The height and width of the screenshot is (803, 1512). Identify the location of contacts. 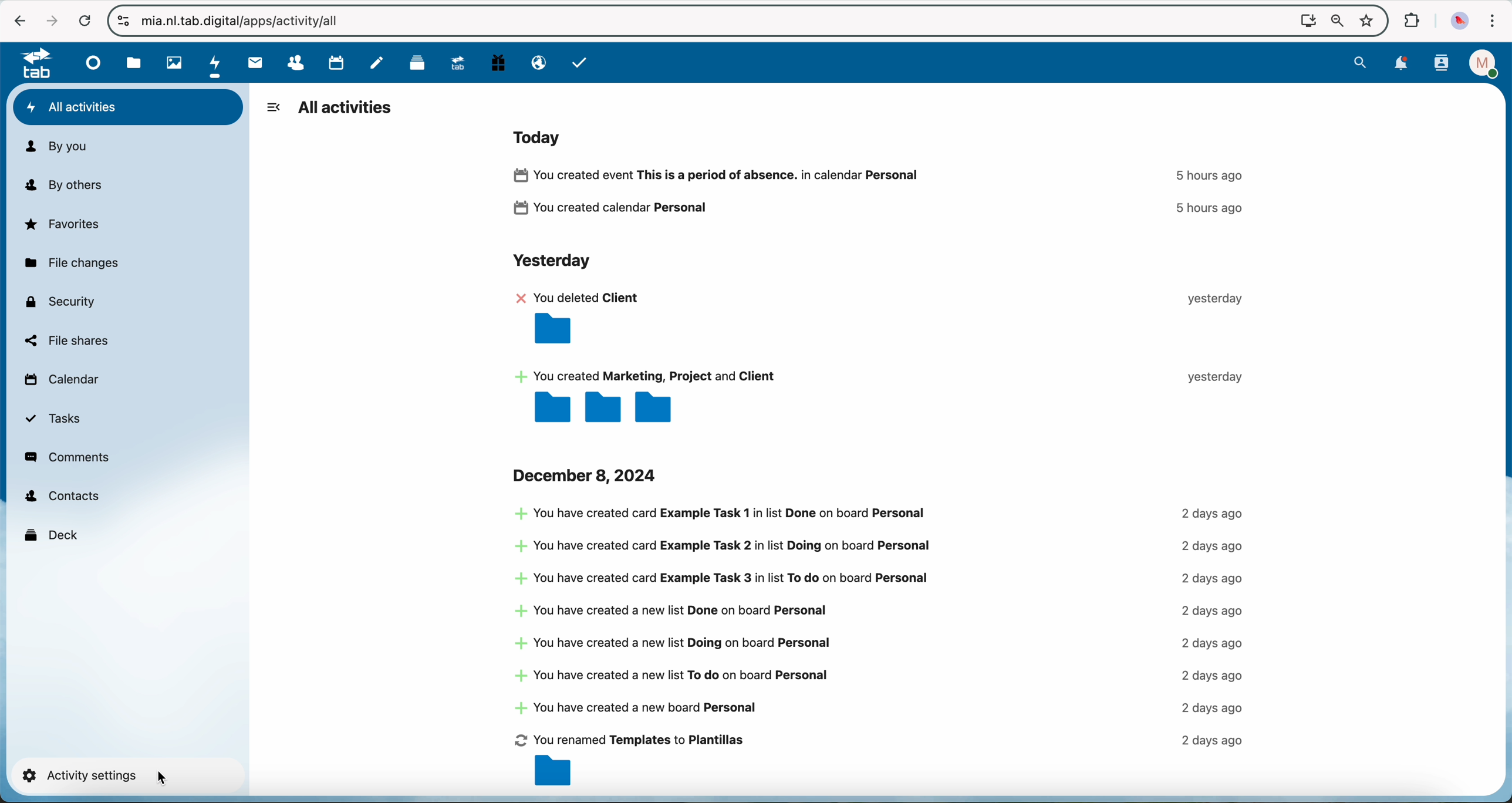
(62, 497).